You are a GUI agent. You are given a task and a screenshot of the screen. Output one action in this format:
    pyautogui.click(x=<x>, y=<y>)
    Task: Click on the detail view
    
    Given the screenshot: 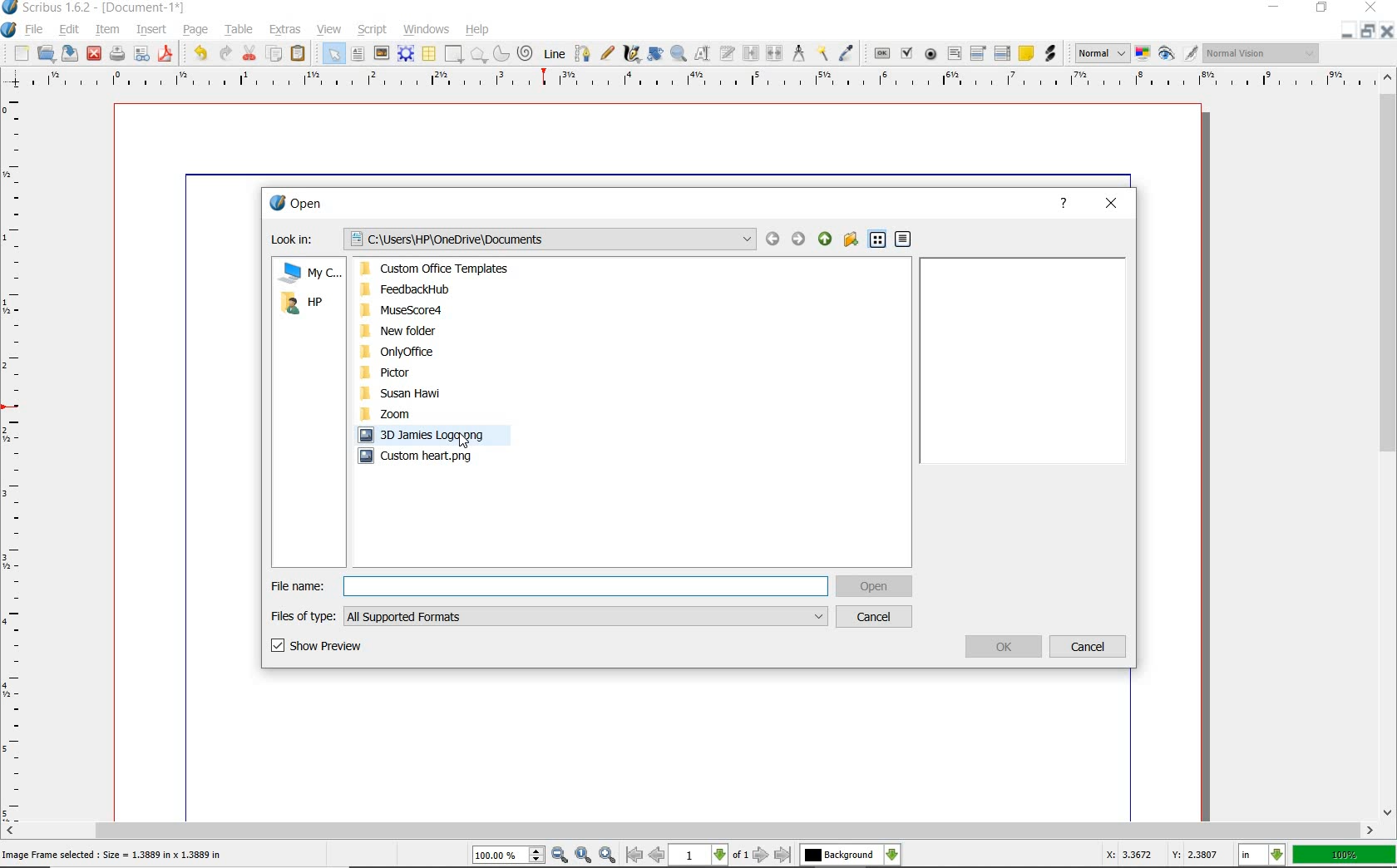 What is the action you would take?
    pyautogui.click(x=904, y=239)
    